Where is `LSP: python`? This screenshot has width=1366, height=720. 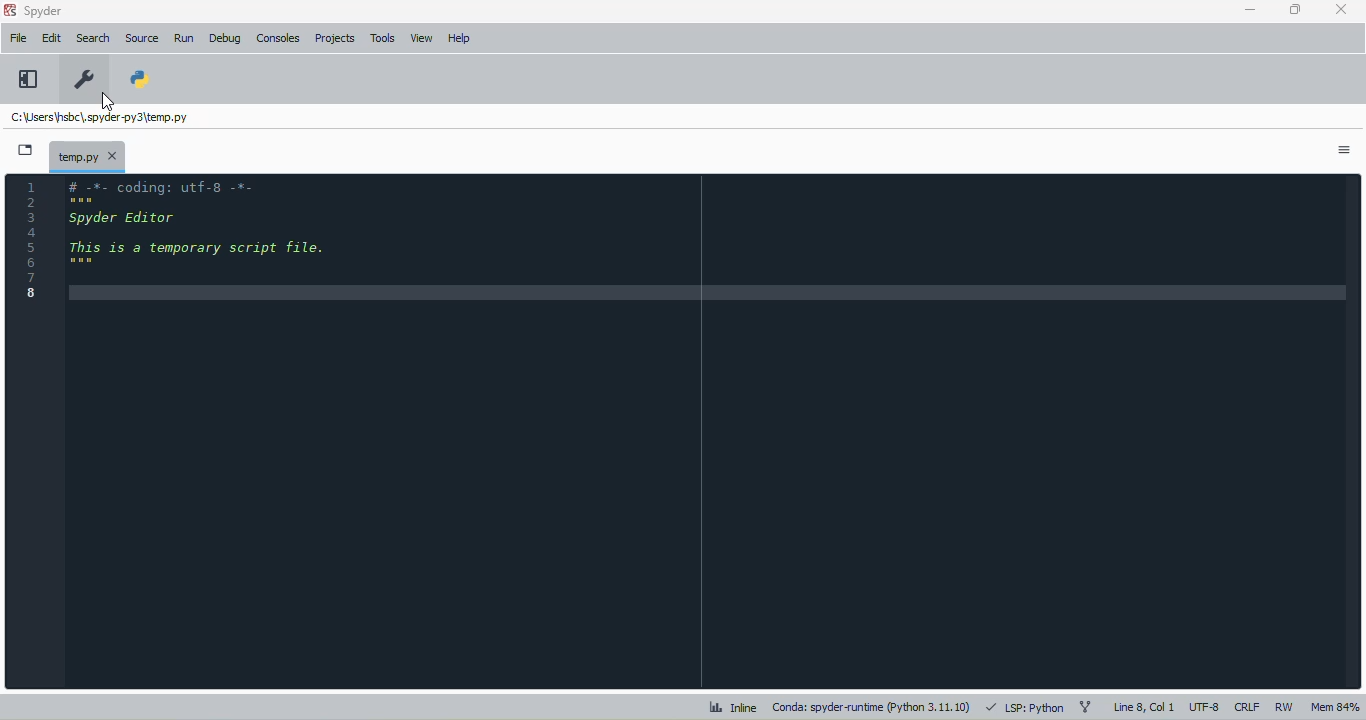 LSP: python is located at coordinates (1025, 707).